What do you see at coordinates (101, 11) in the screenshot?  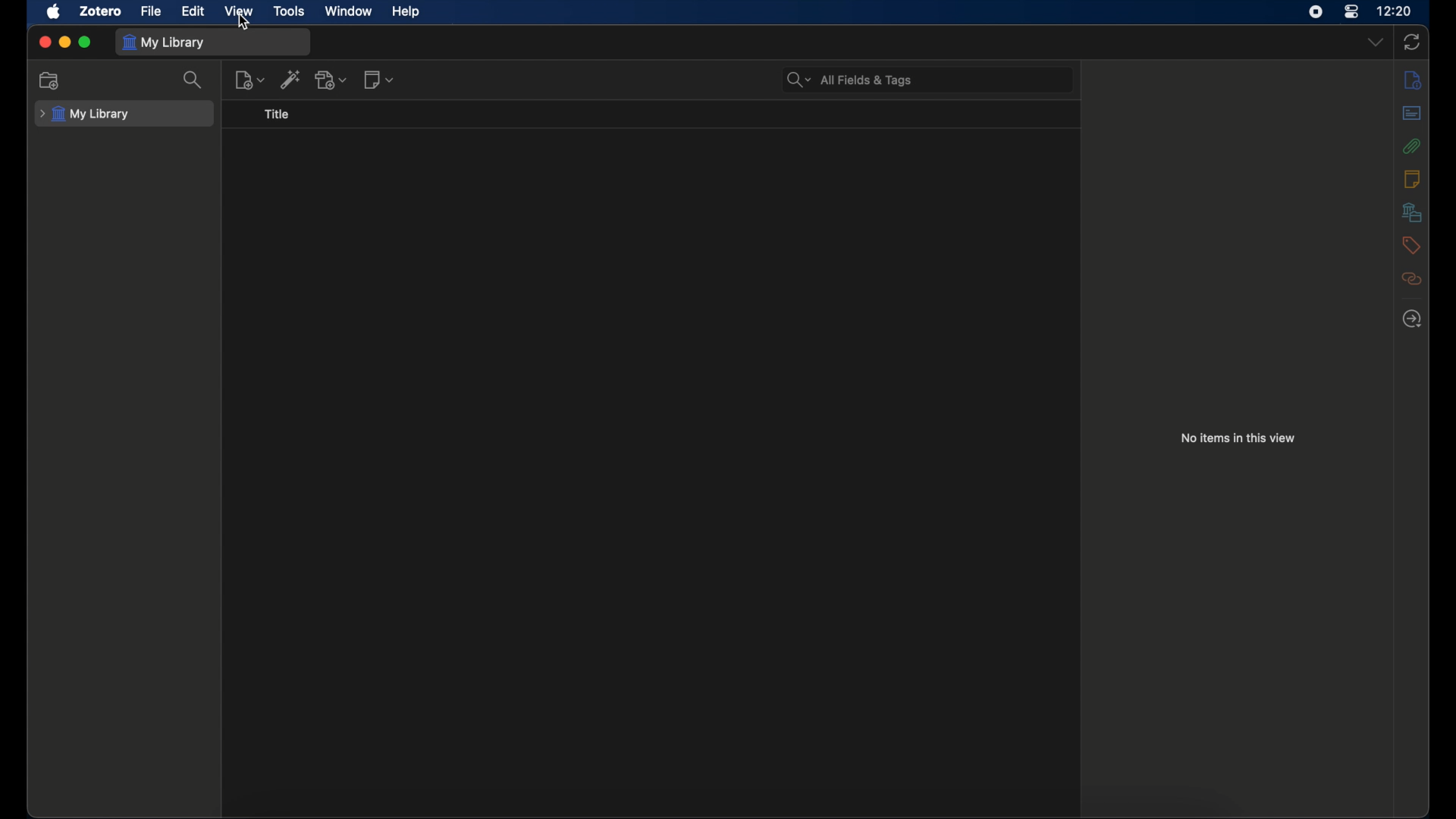 I see `zotero` at bounding box center [101, 11].